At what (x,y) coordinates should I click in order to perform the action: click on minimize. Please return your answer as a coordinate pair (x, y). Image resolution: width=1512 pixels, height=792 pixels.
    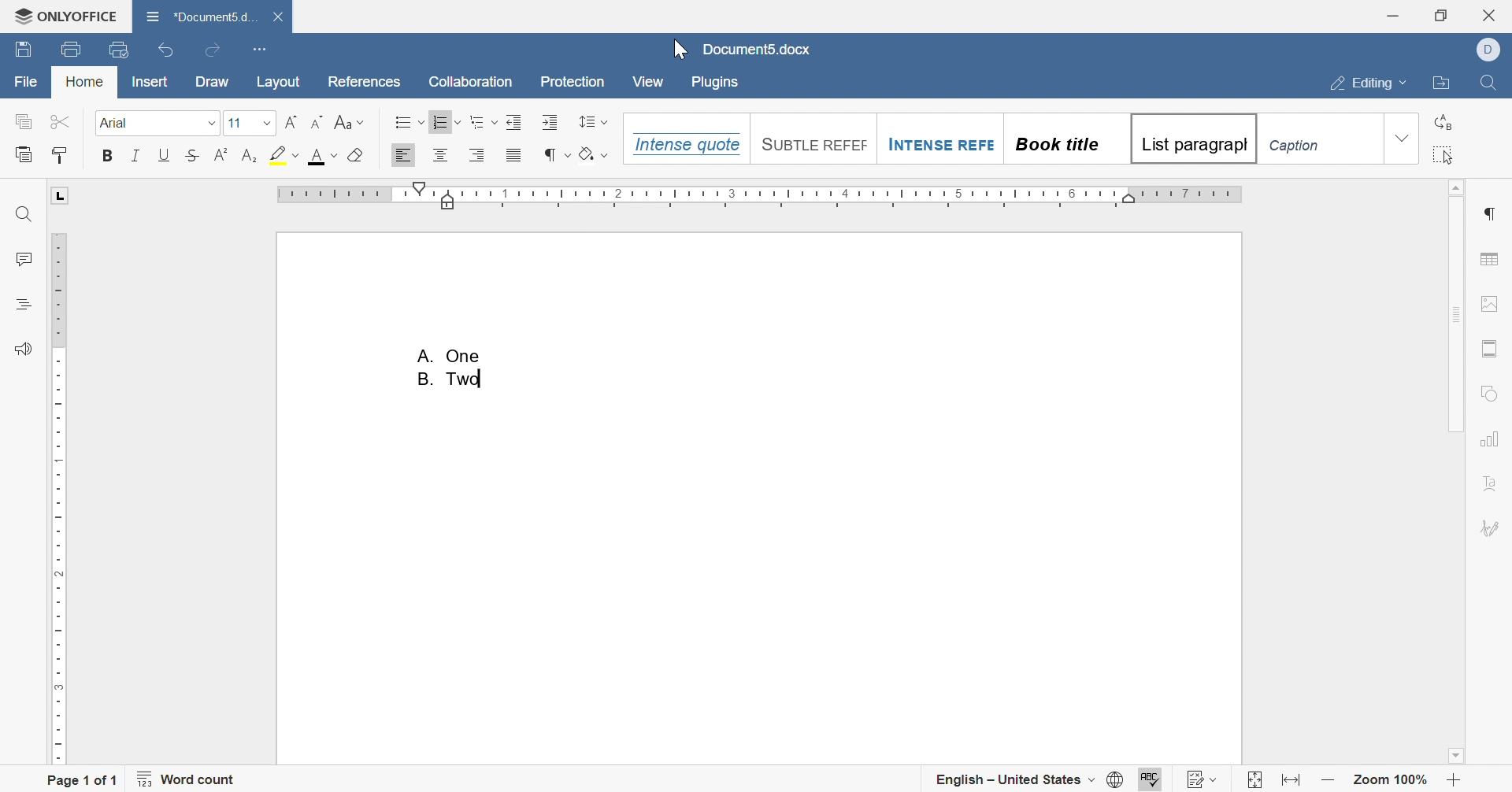
    Looking at the image, I should click on (1390, 17).